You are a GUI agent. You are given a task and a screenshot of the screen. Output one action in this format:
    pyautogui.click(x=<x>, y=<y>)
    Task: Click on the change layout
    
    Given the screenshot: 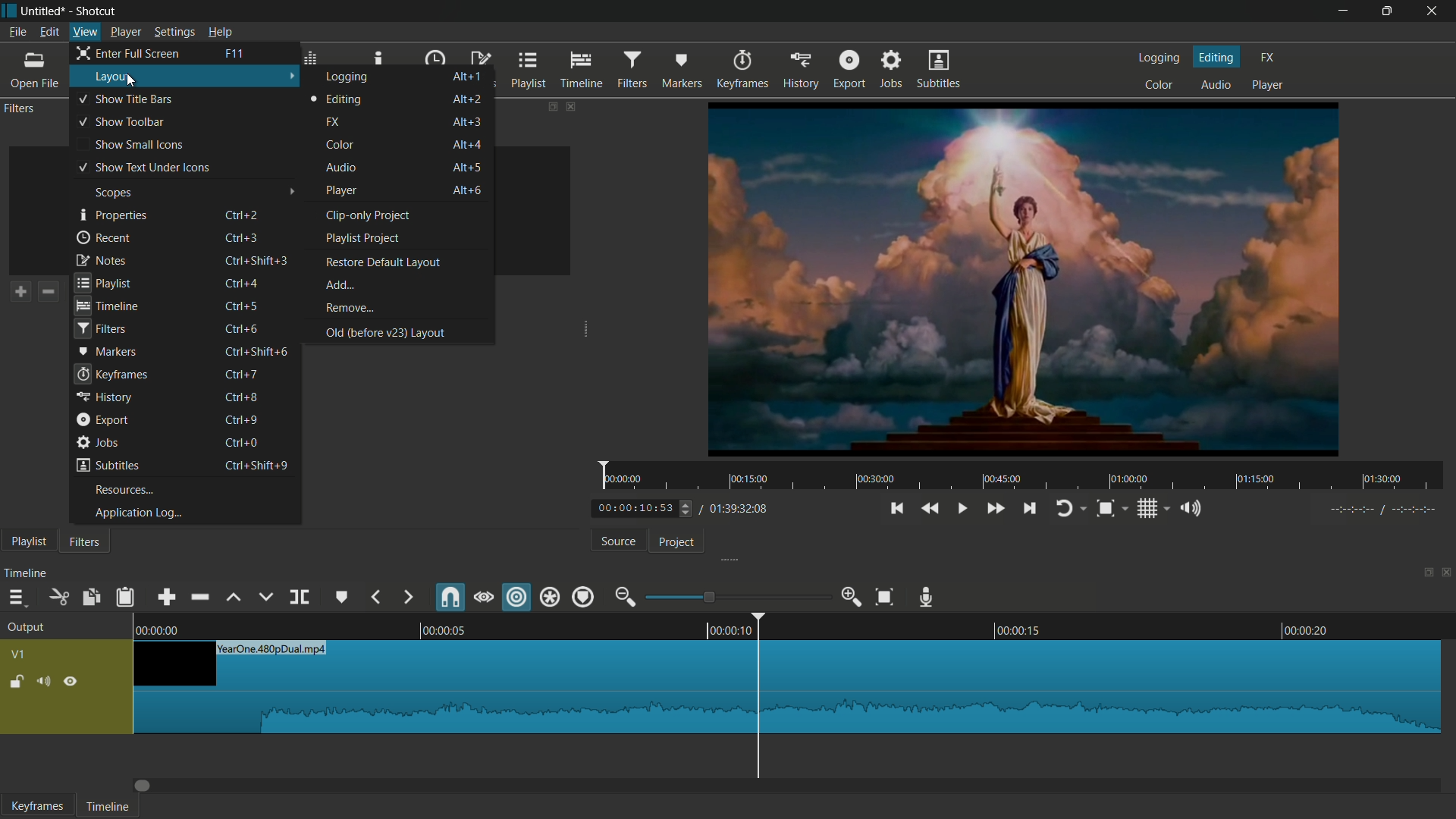 What is the action you would take?
    pyautogui.click(x=547, y=105)
    